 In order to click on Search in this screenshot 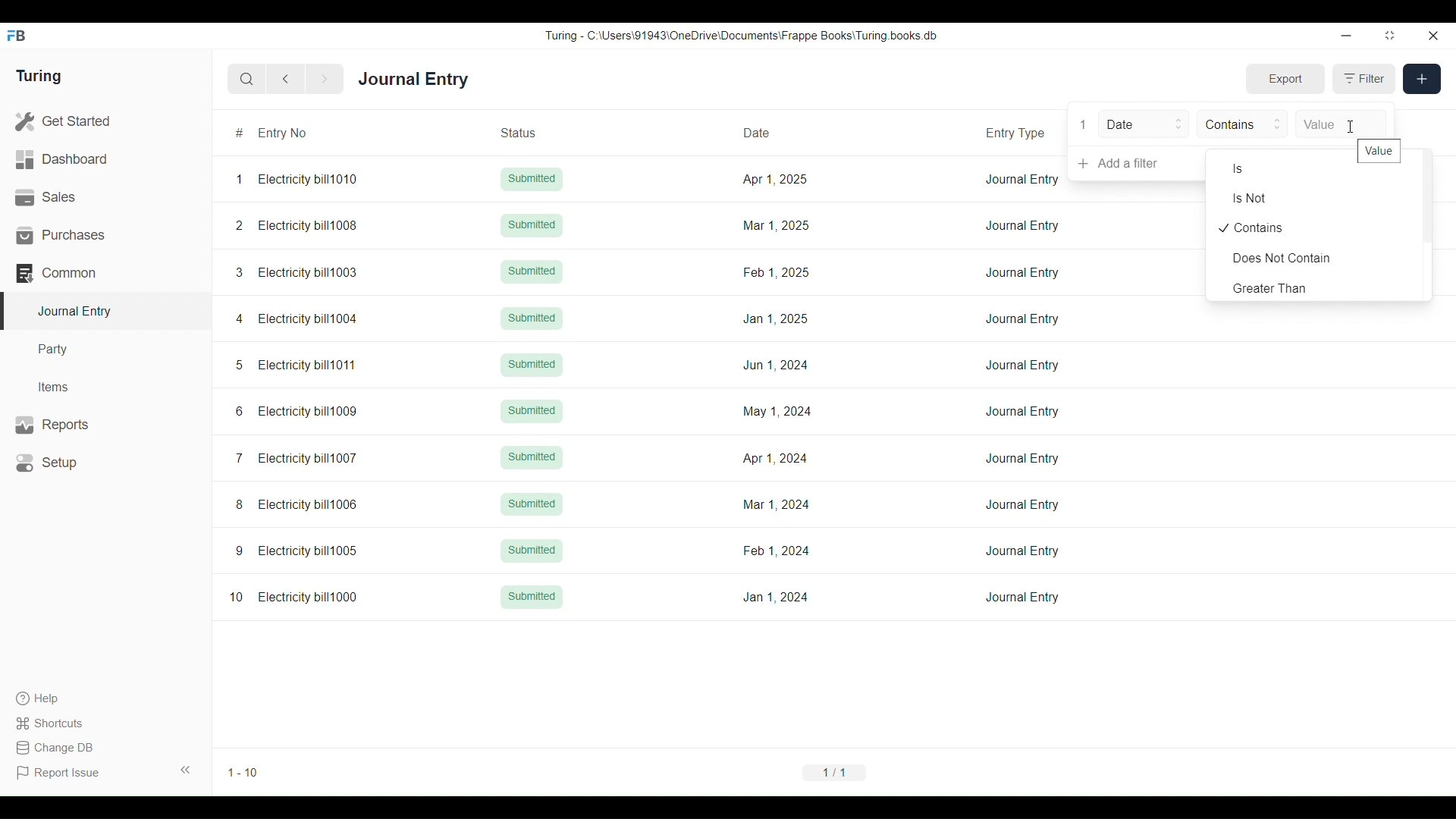, I will do `click(246, 80)`.